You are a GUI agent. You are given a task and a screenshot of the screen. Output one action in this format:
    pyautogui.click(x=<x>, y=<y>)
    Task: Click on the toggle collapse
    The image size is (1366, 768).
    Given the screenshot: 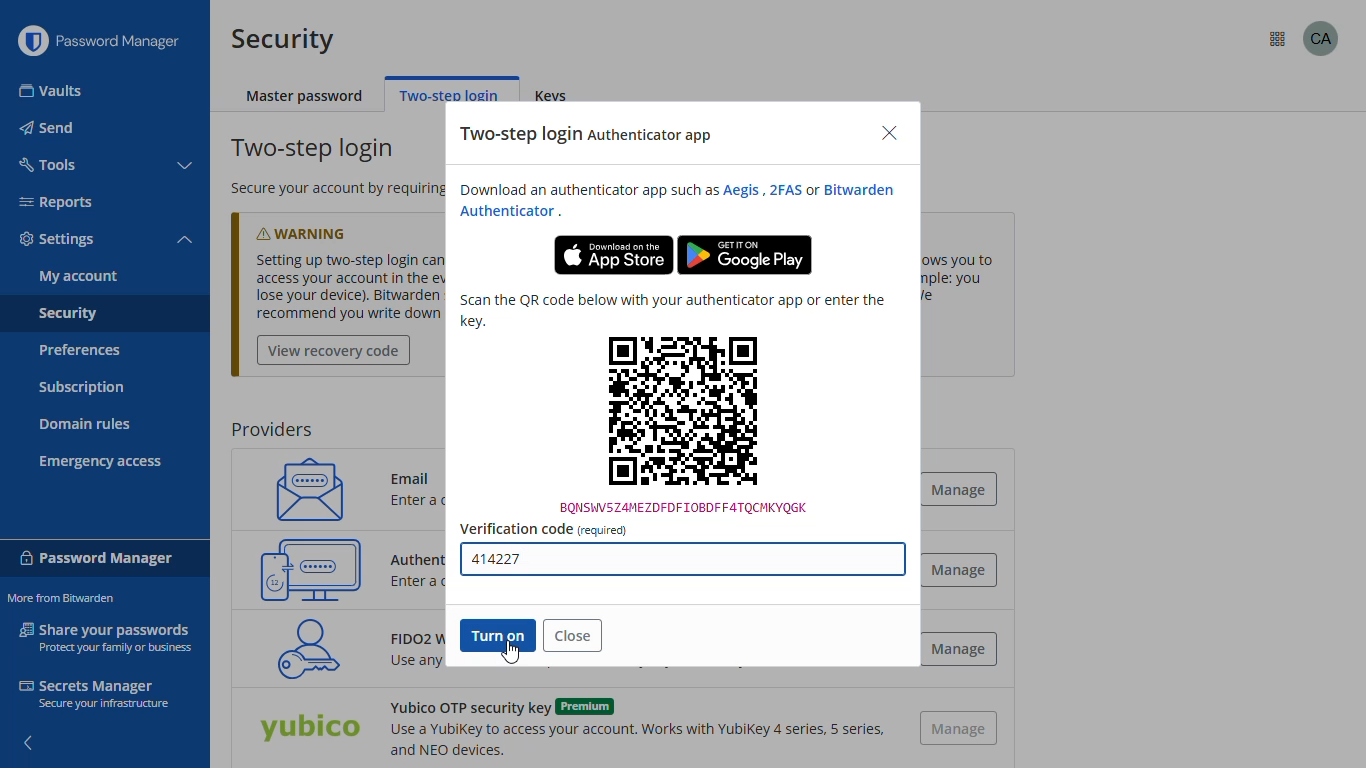 What is the action you would take?
    pyautogui.click(x=185, y=241)
    